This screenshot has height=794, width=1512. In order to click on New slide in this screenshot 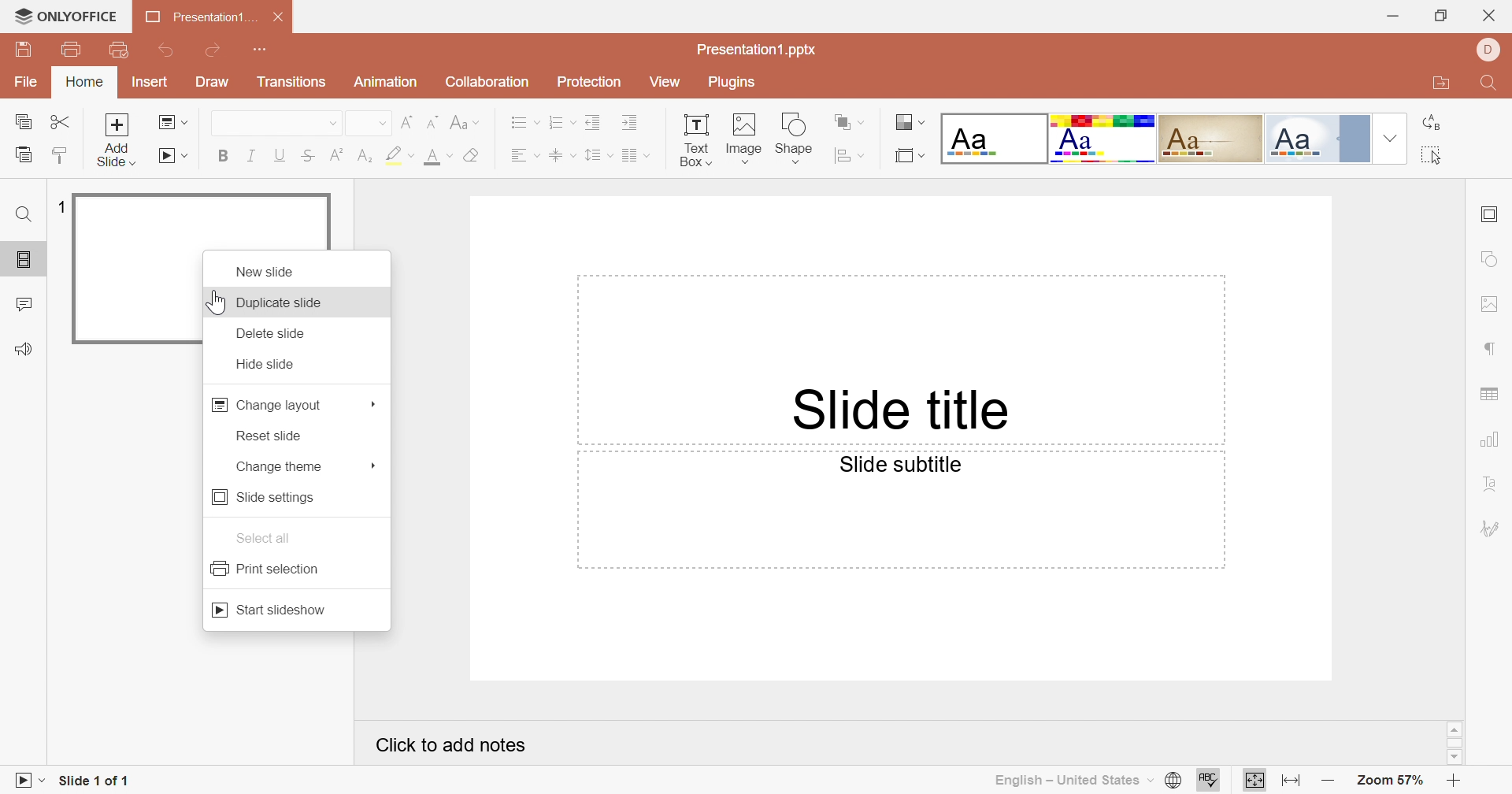, I will do `click(268, 274)`.